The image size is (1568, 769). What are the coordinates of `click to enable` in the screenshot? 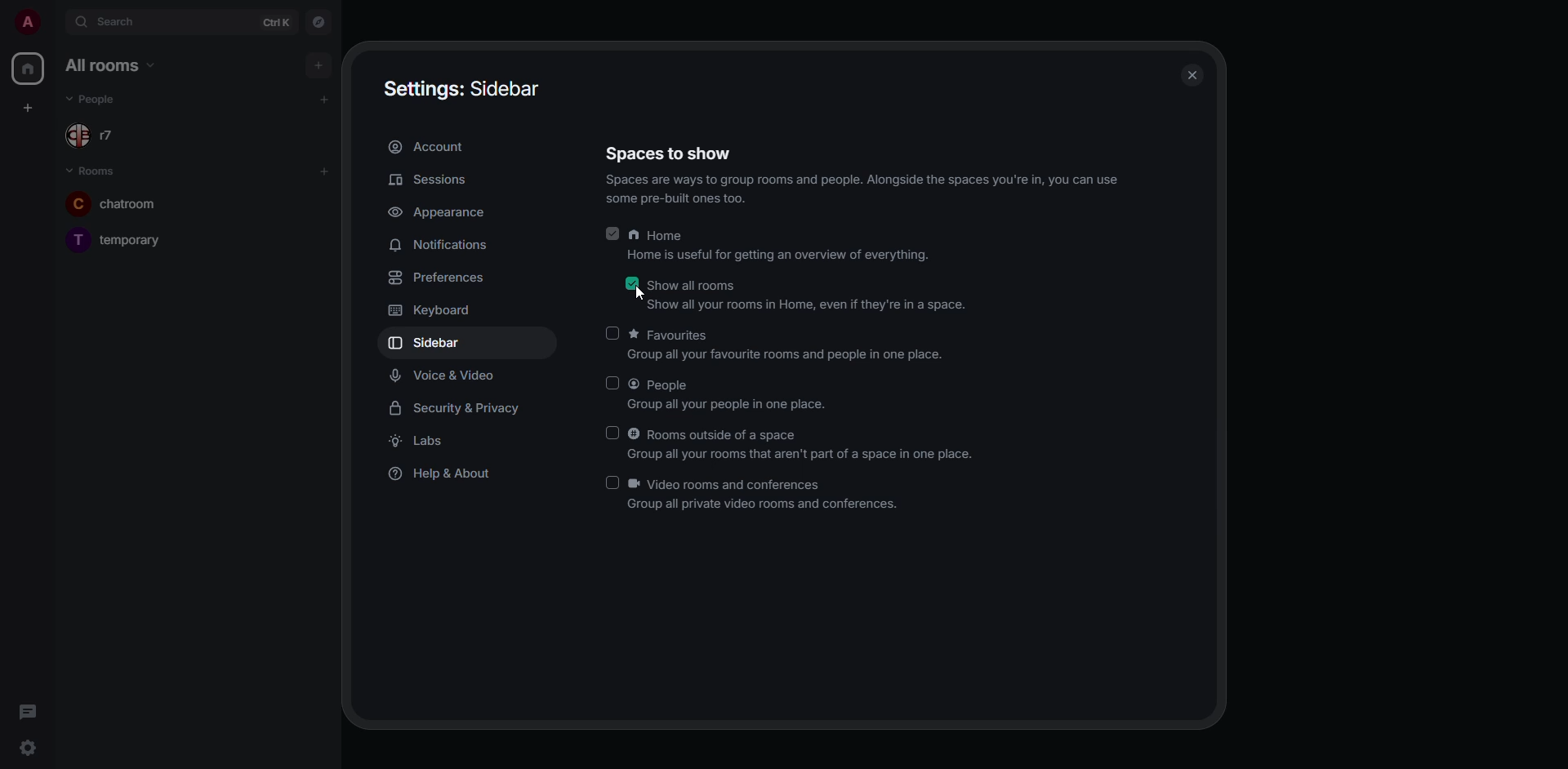 It's located at (608, 482).